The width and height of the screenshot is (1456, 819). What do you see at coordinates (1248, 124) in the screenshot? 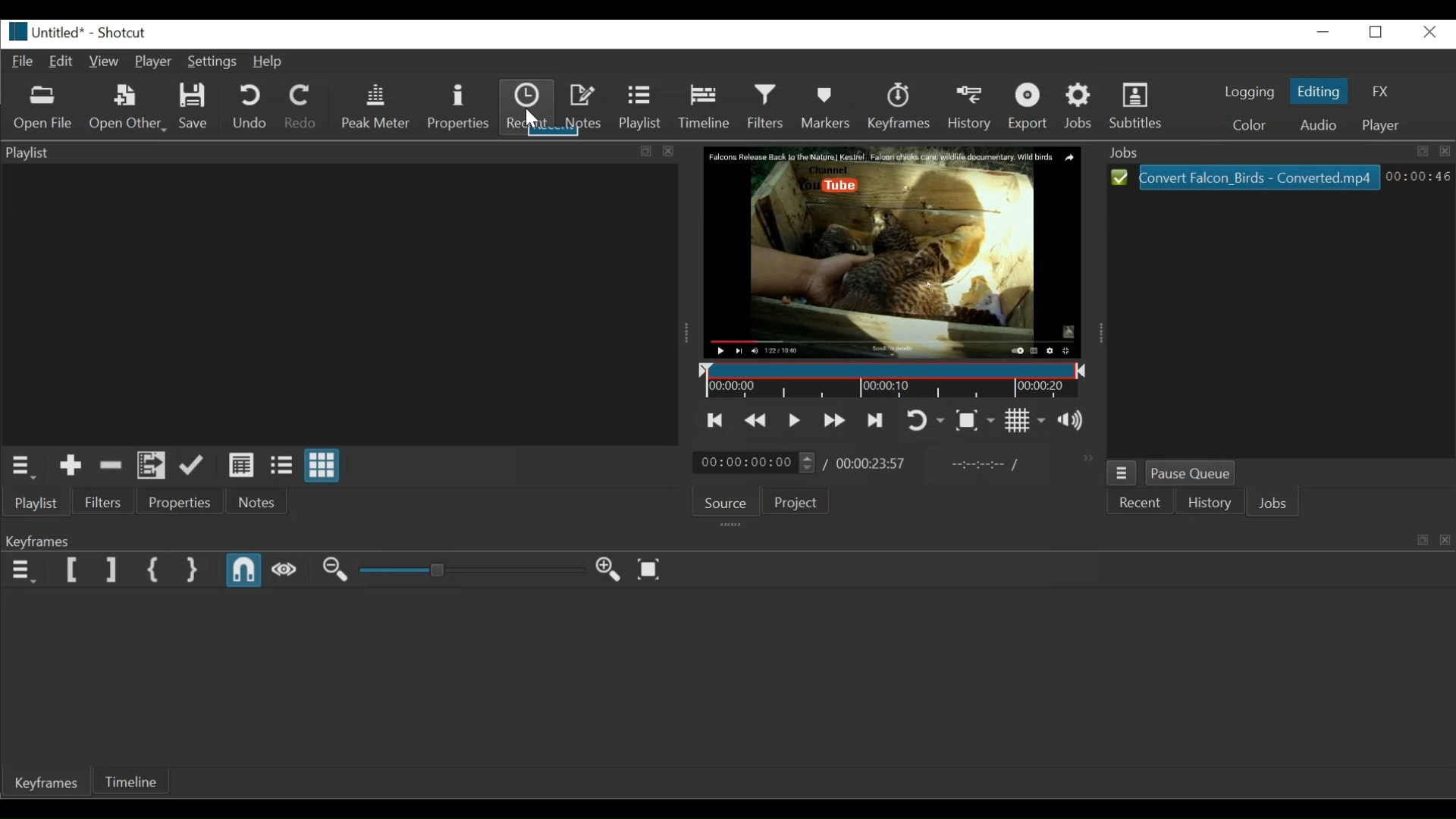
I see `Color` at bounding box center [1248, 124].